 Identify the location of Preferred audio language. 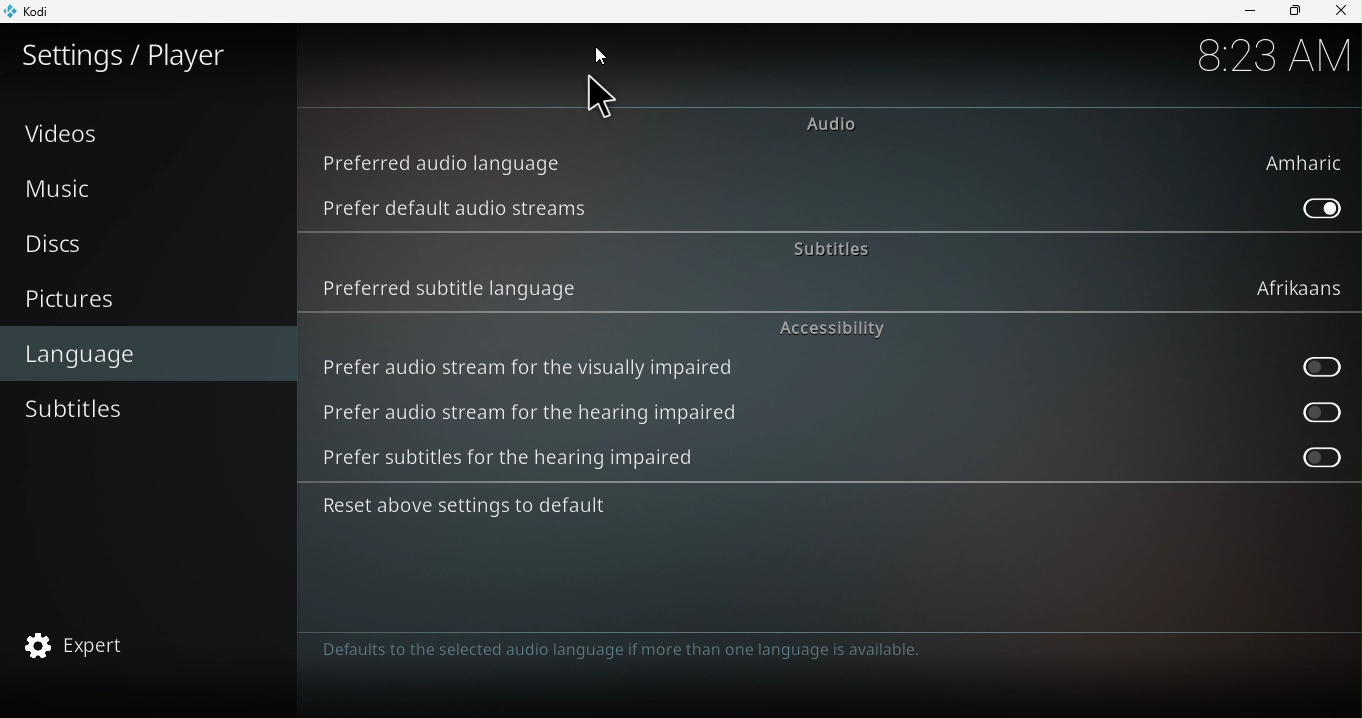
(840, 164).